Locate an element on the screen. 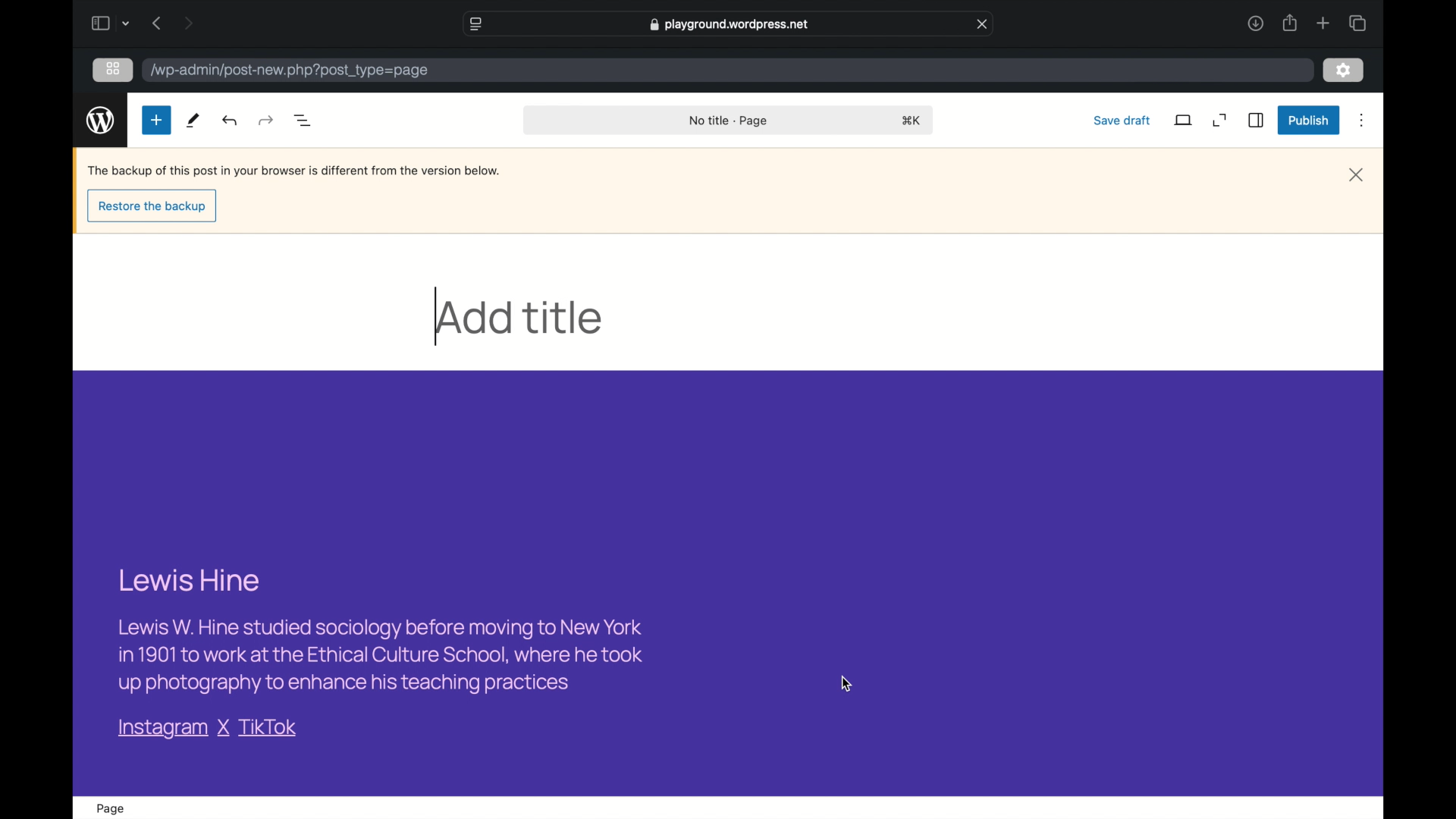 This screenshot has width=1456, height=819. cursor is located at coordinates (846, 683).